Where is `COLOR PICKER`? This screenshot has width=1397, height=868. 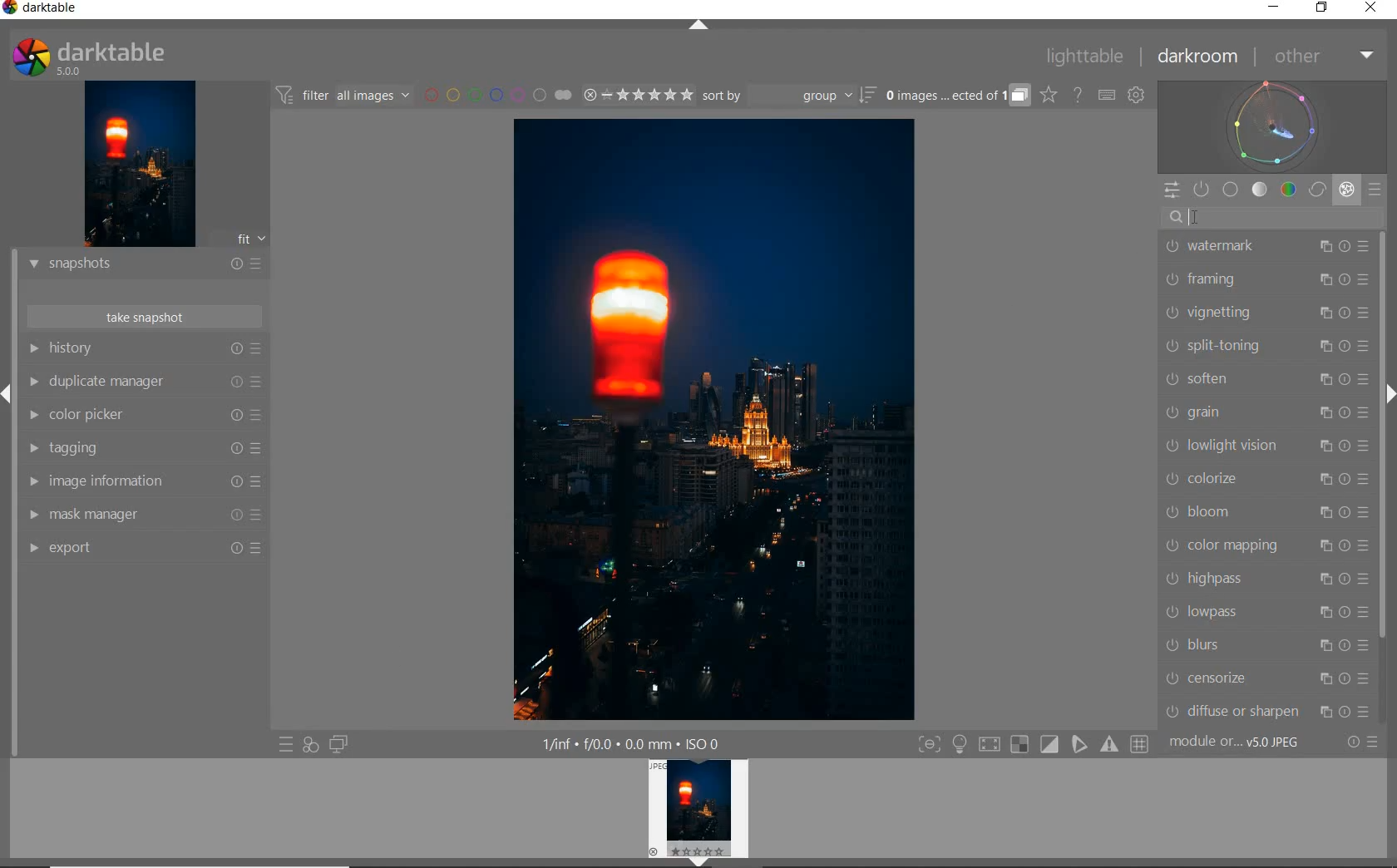
COLOR PICKER is located at coordinates (119, 417).